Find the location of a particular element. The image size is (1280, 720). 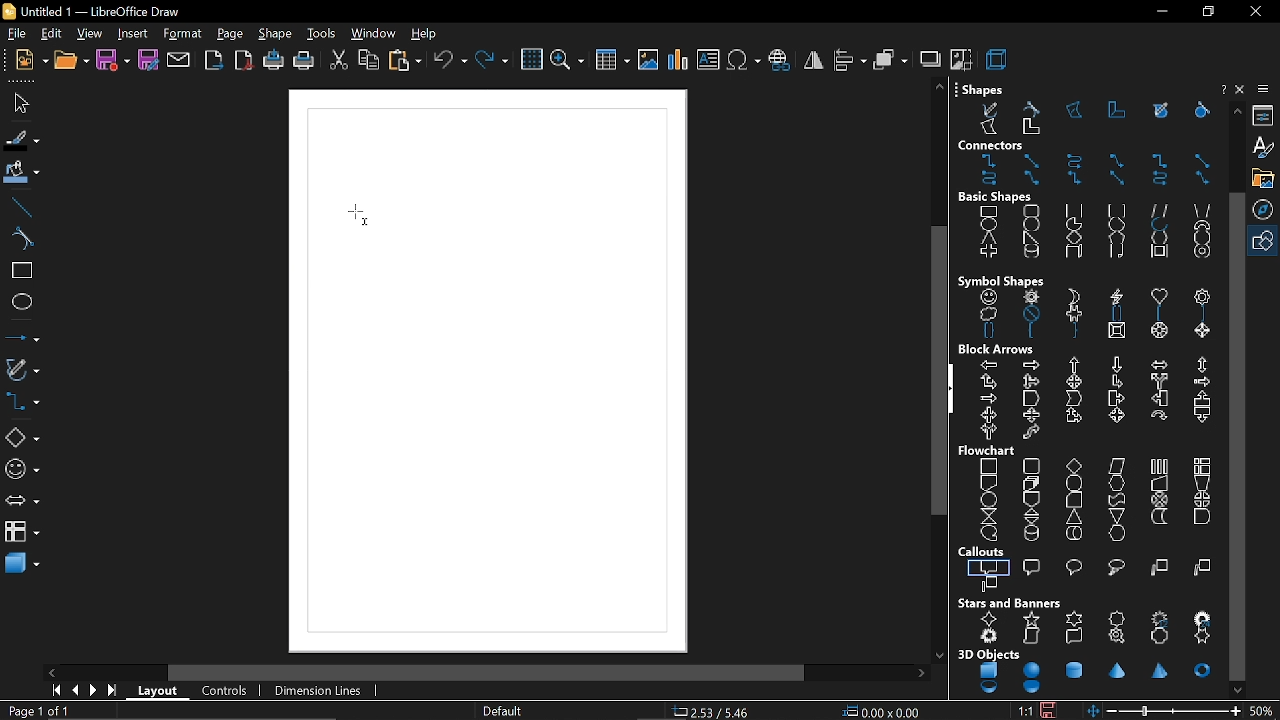

scaling factor is located at coordinates (1023, 711).